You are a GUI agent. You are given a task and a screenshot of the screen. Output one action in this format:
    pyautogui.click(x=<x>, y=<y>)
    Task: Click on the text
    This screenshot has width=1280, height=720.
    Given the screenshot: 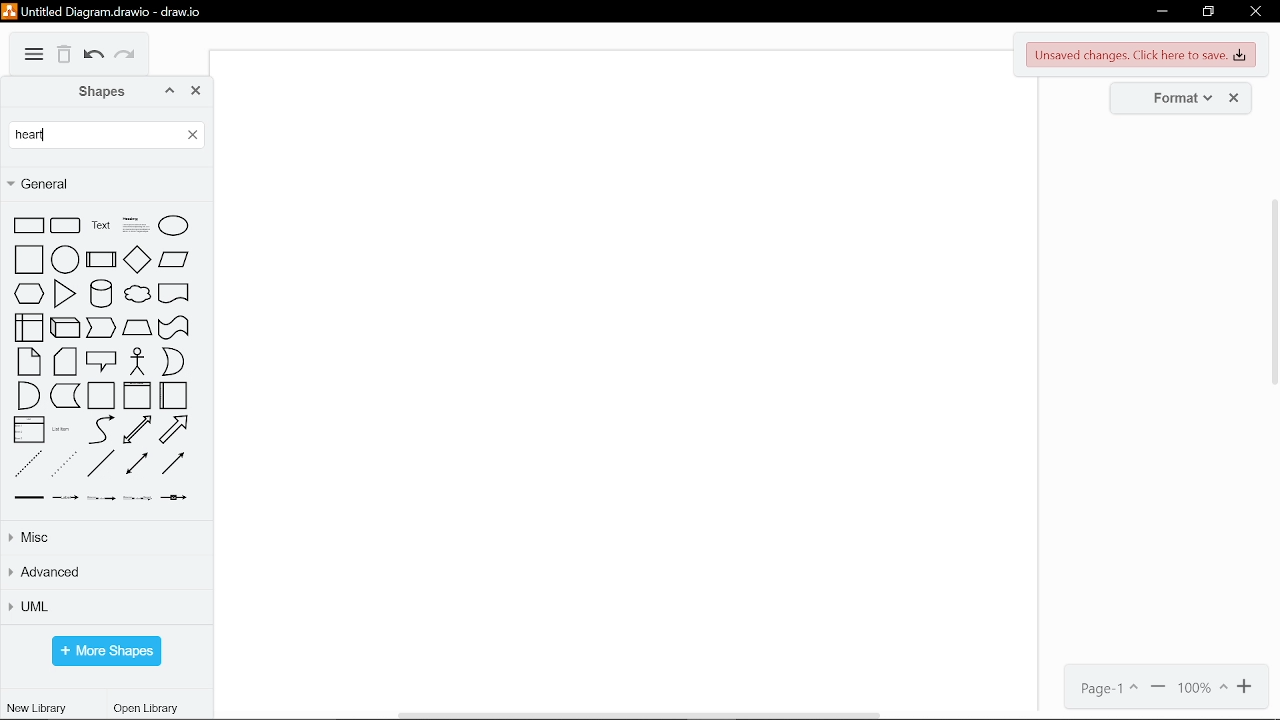 What is the action you would take?
    pyautogui.click(x=99, y=227)
    